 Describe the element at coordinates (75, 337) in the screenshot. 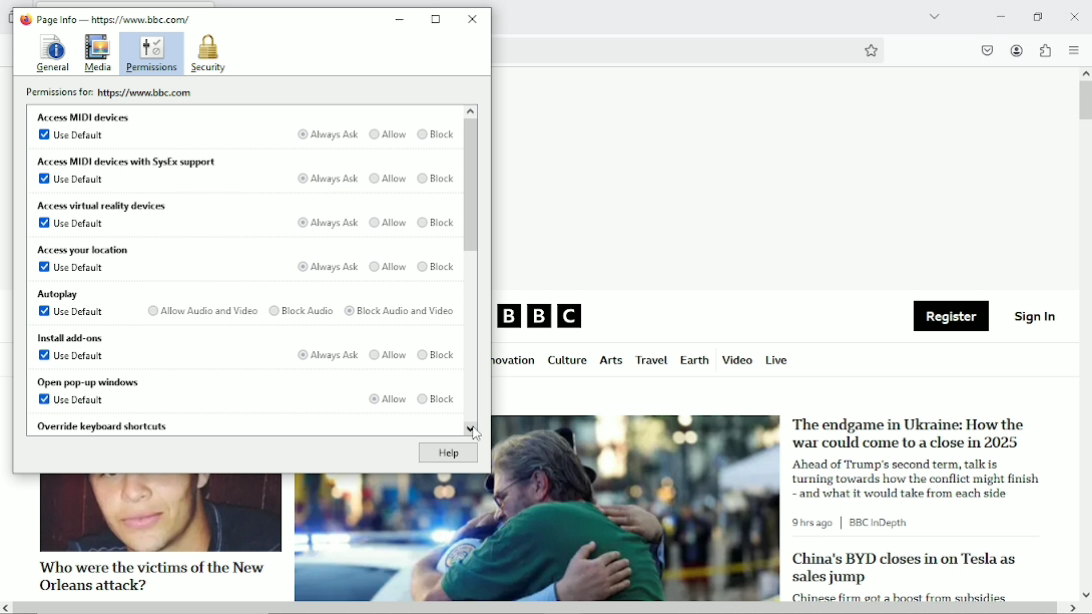

I see `Install add-ons` at that location.